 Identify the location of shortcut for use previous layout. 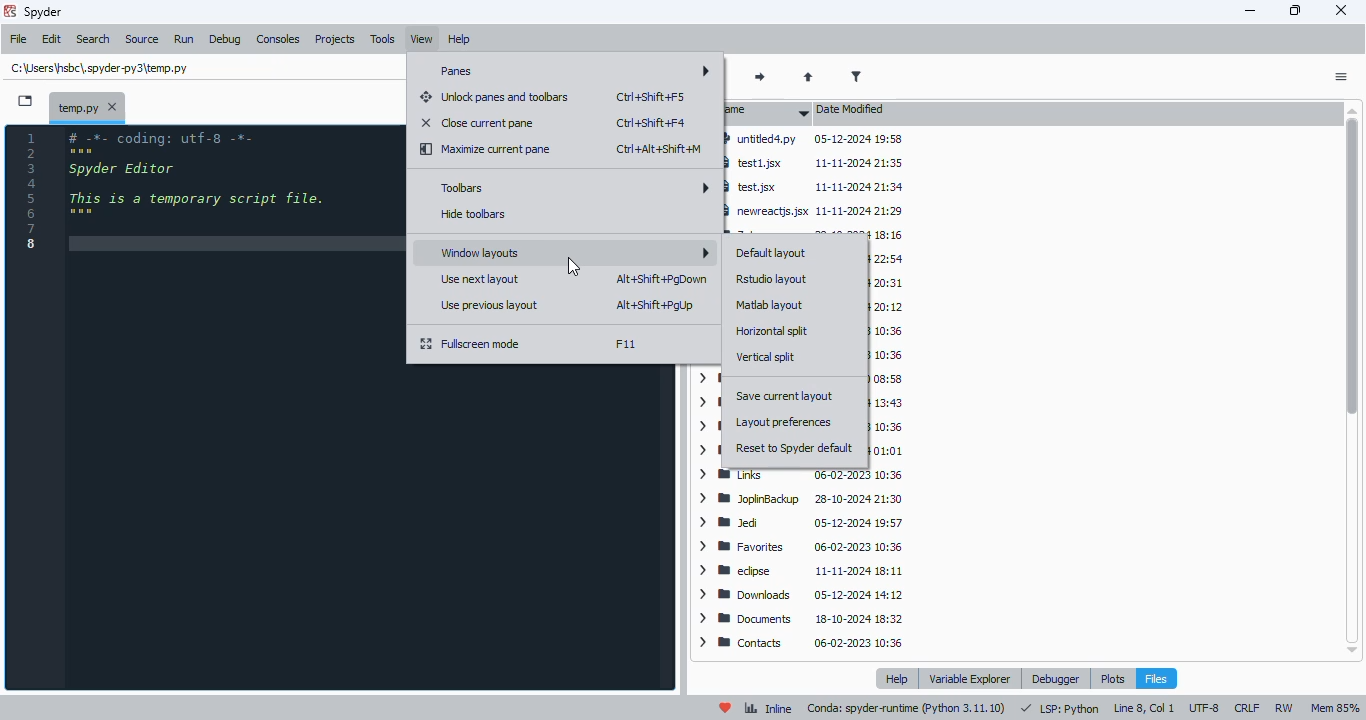
(655, 306).